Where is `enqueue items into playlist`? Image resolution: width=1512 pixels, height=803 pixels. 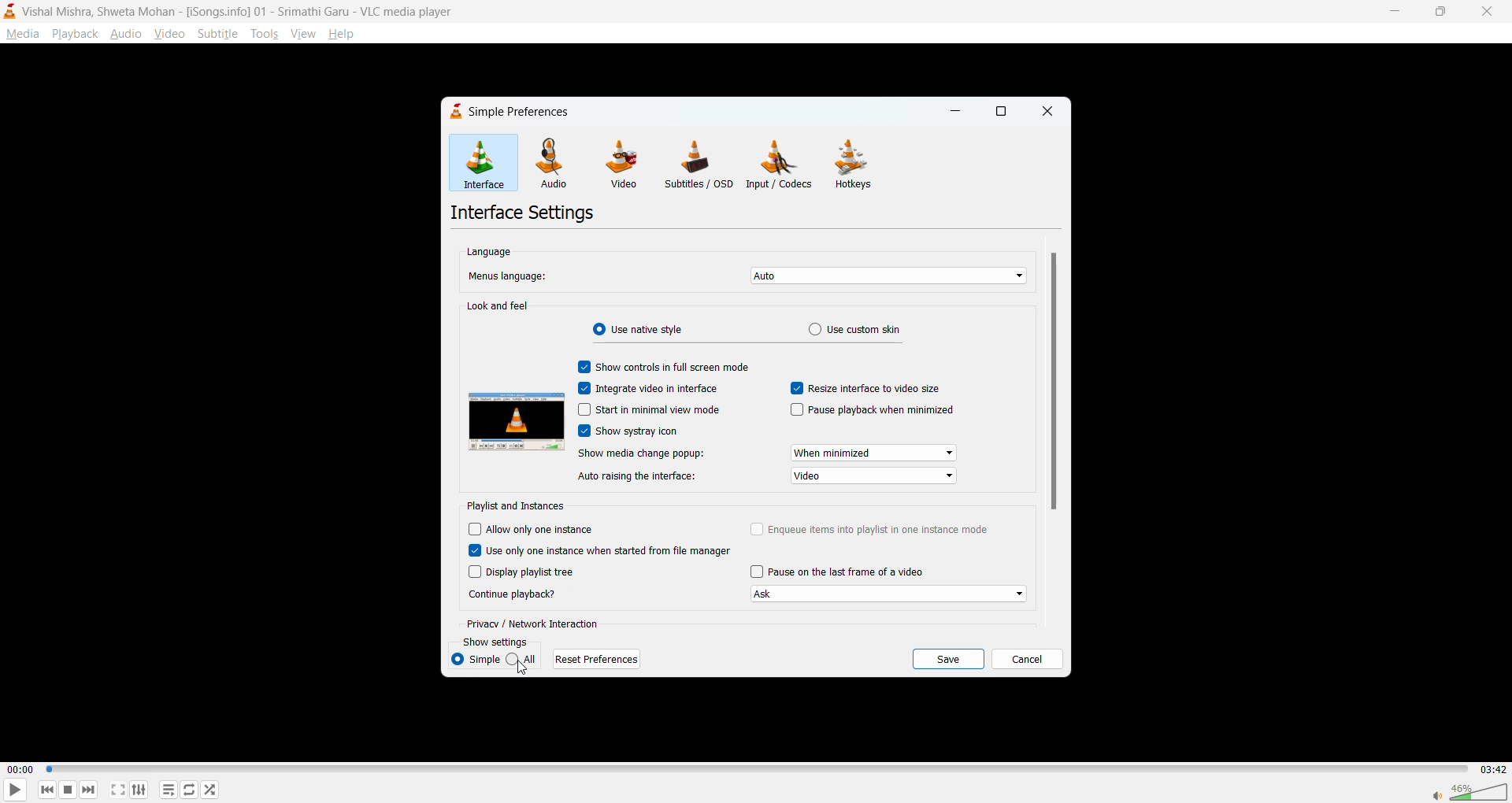 enqueue items into playlist is located at coordinates (874, 529).